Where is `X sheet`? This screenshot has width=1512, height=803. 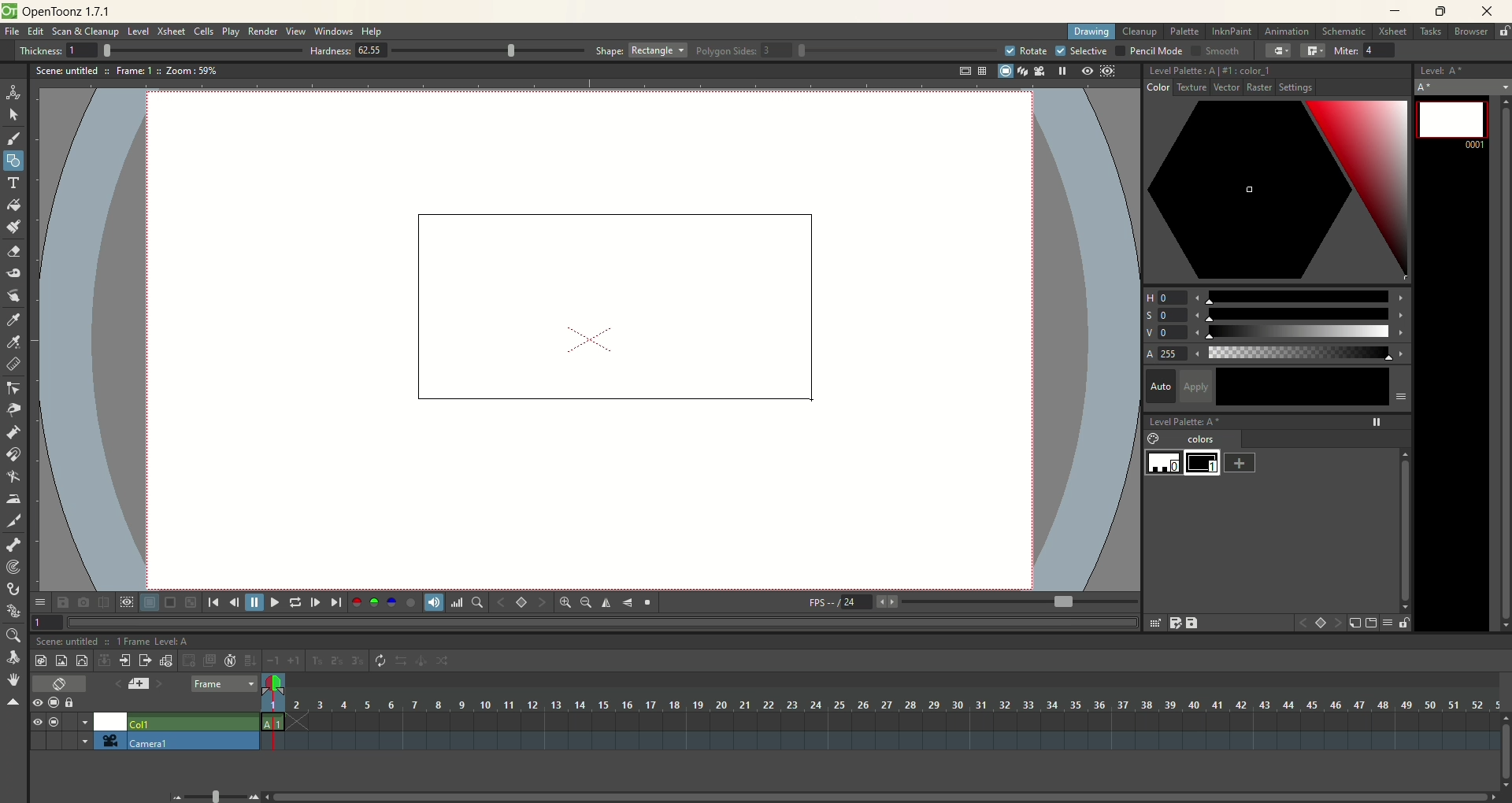 X sheet is located at coordinates (1395, 32).